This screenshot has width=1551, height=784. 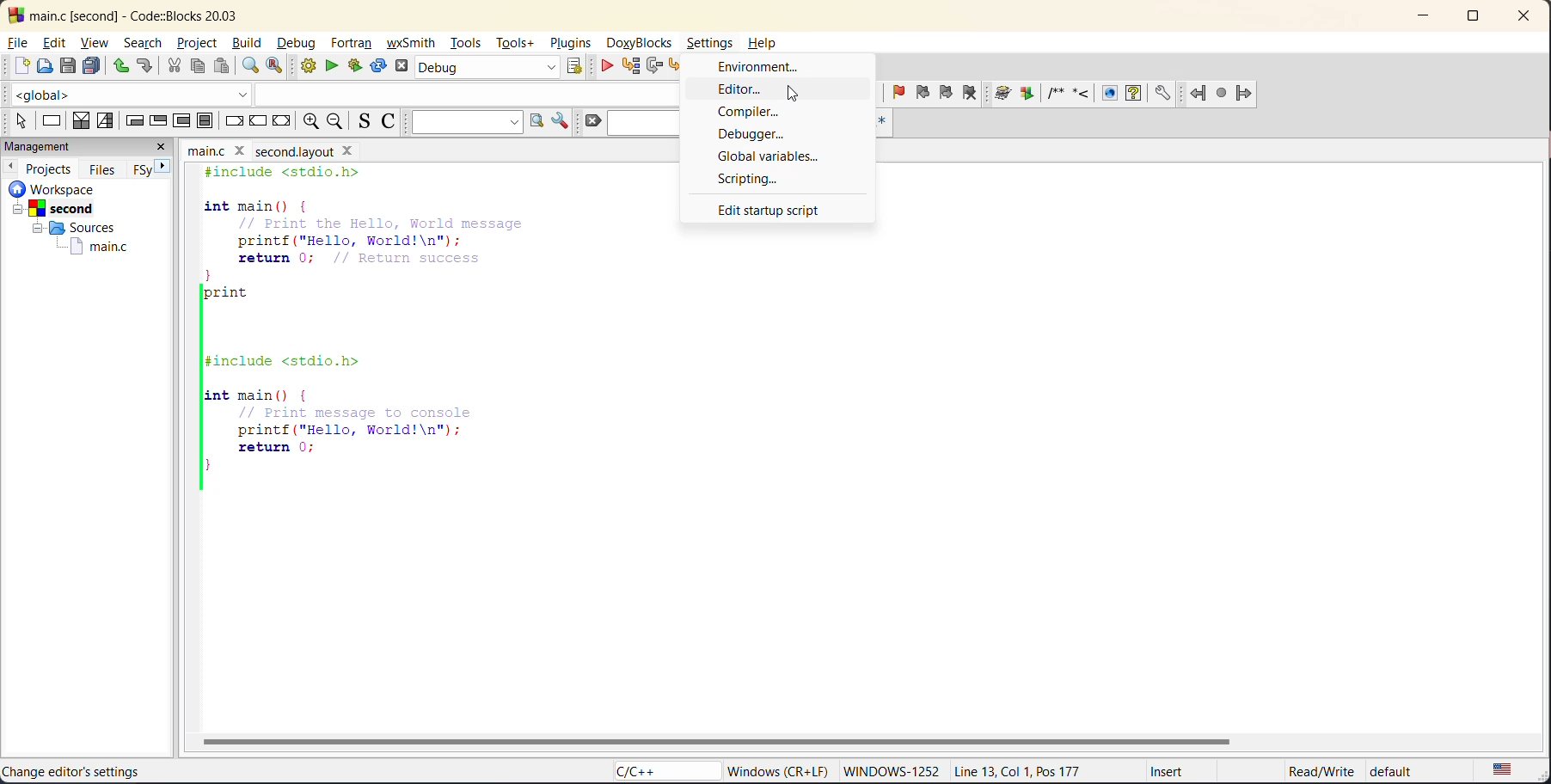 What do you see at coordinates (124, 774) in the screenshot?
I see `file location` at bounding box center [124, 774].